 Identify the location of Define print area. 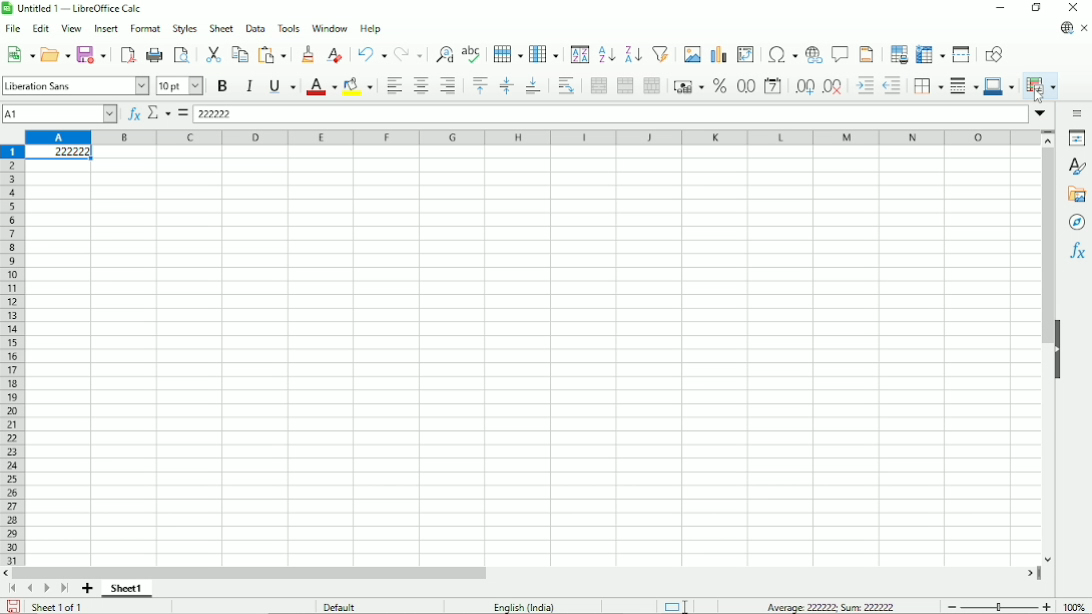
(898, 54).